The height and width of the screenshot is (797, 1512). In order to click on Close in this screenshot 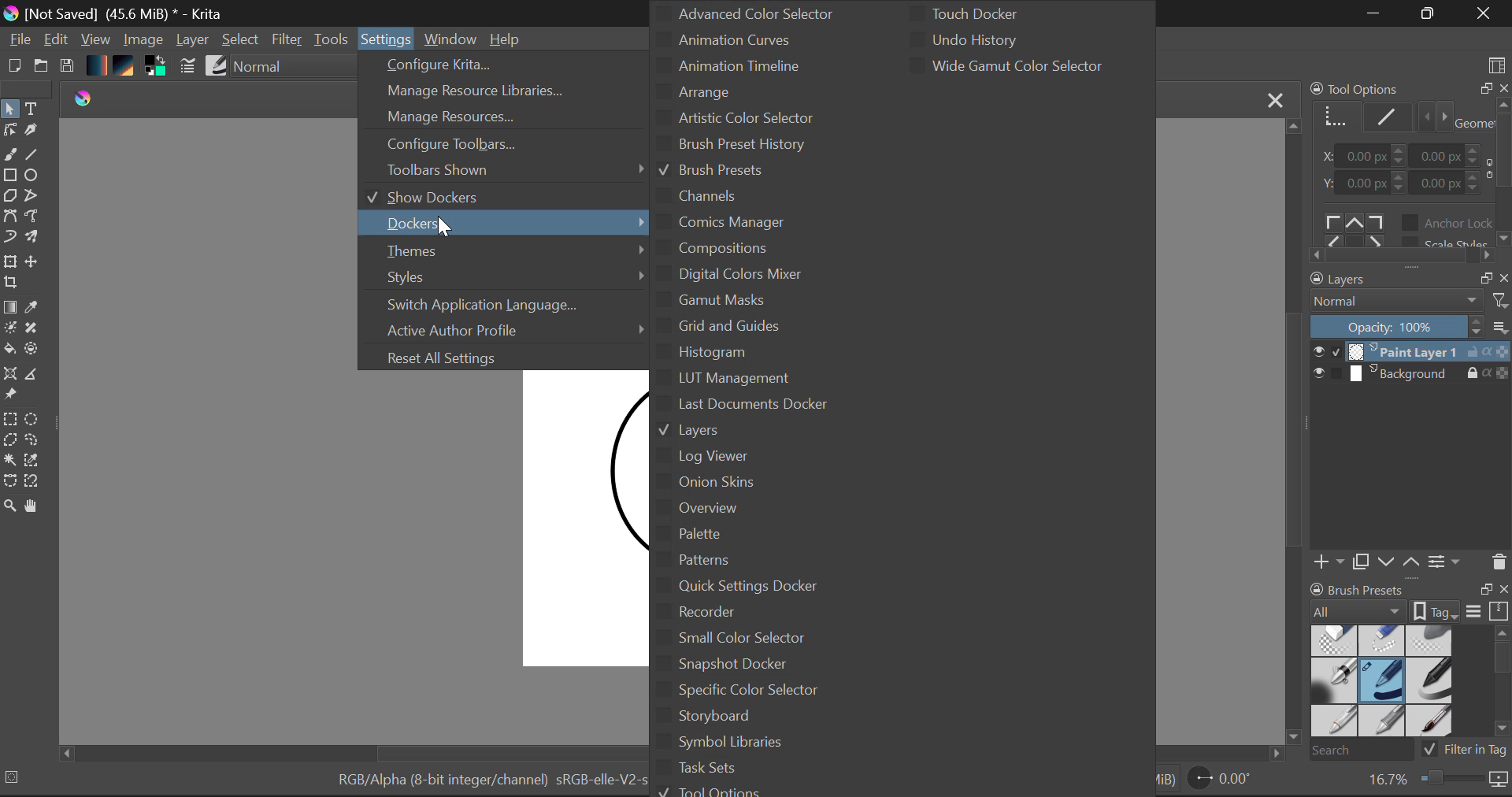, I will do `click(1275, 99)`.